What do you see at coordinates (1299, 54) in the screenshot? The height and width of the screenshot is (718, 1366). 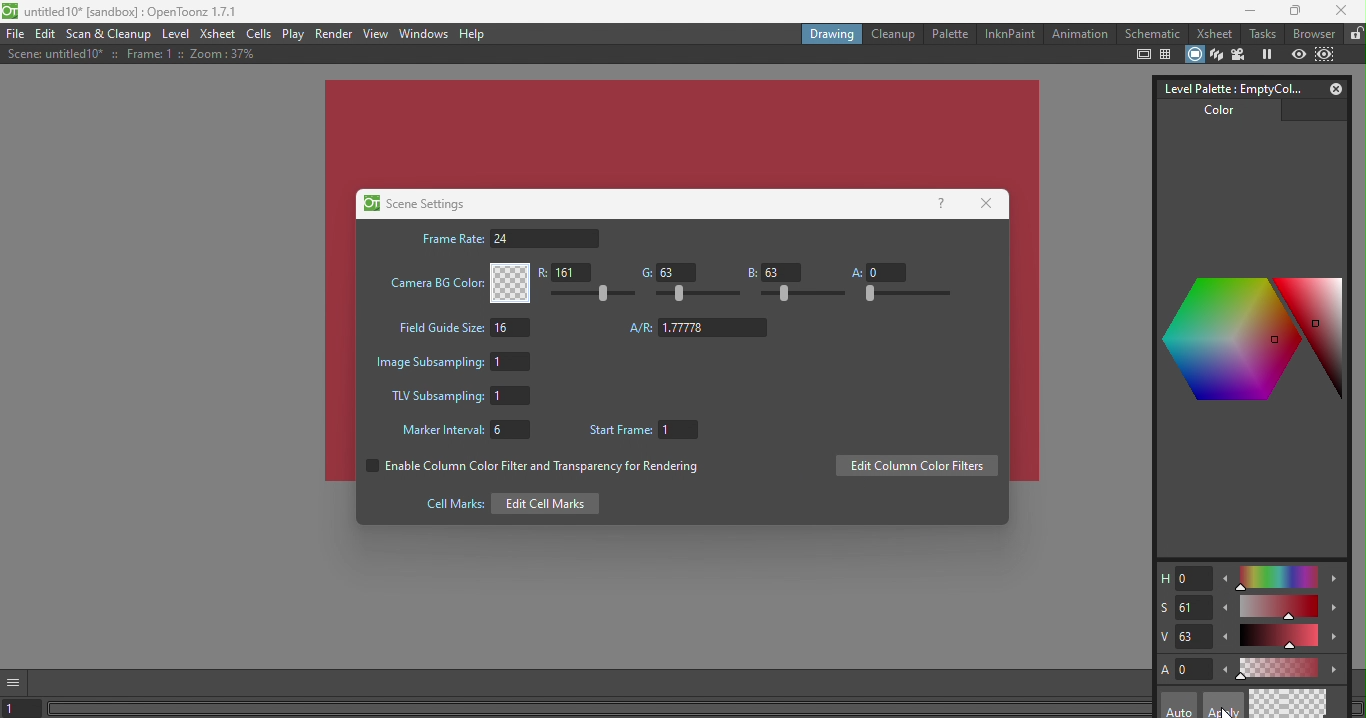 I see `Preview` at bounding box center [1299, 54].